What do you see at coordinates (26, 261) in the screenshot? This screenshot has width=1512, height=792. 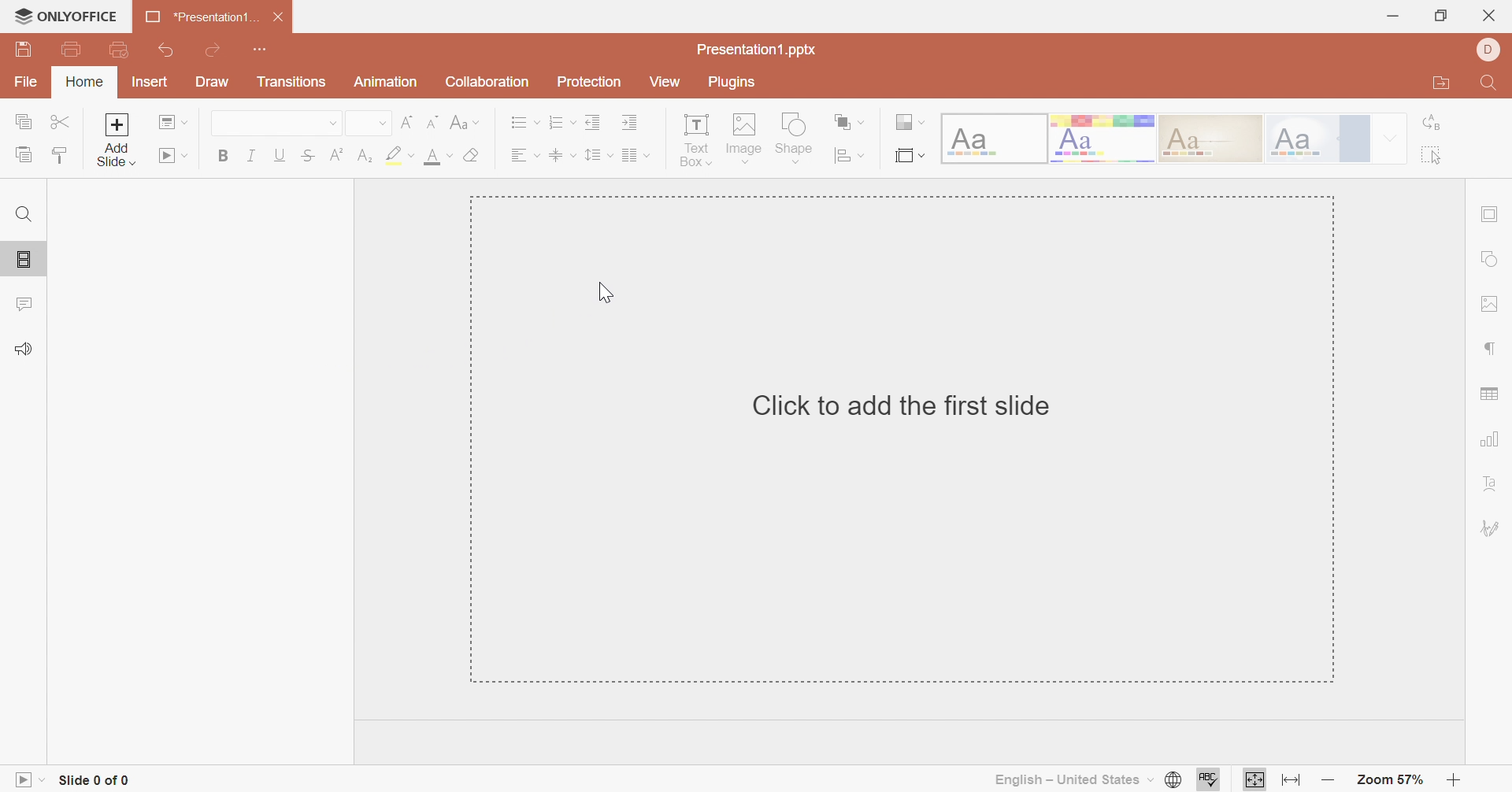 I see `Slides` at bounding box center [26, 261].